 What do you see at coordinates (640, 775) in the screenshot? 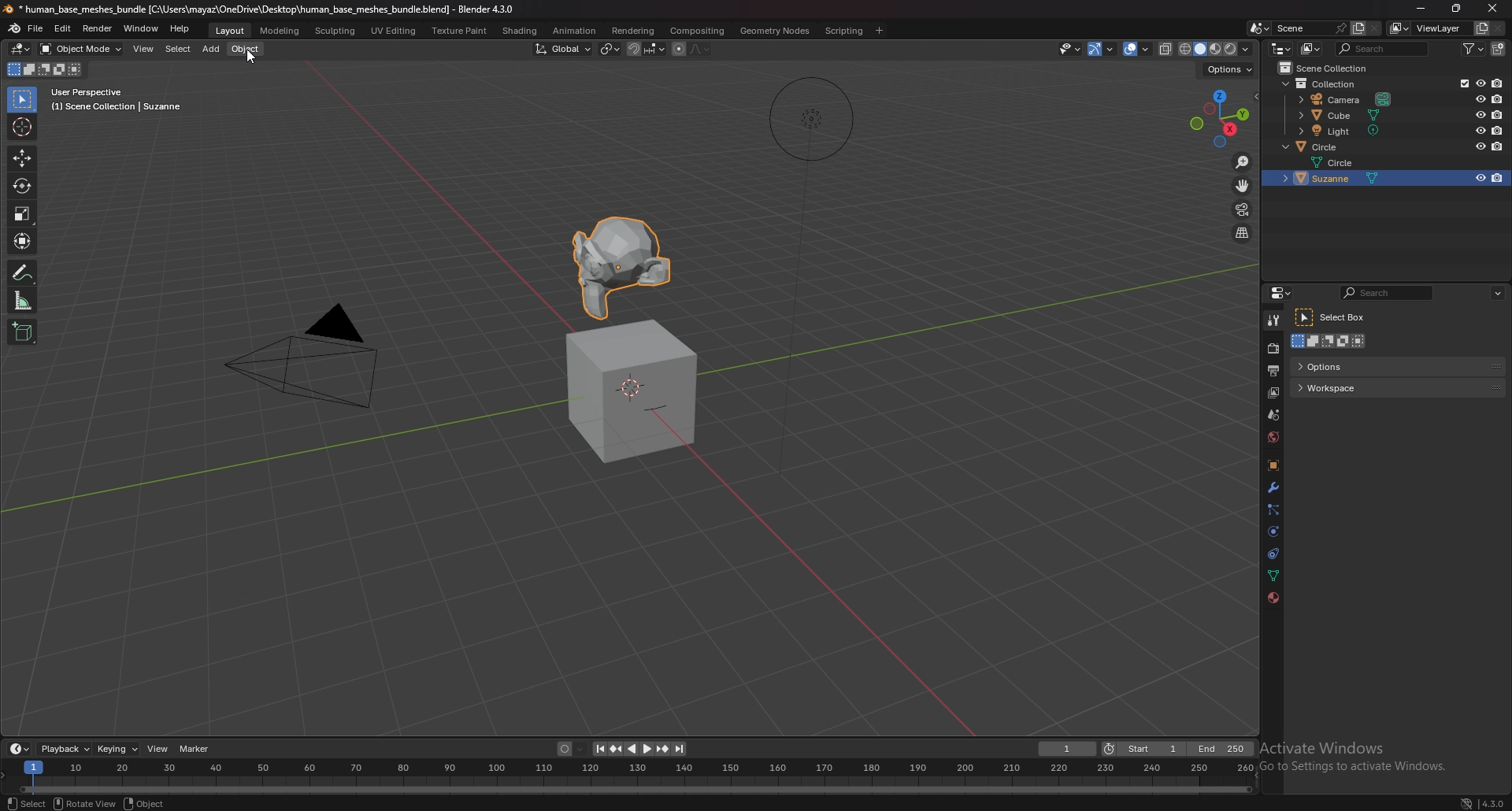
I see `seek` at bounding box center [640, 775].